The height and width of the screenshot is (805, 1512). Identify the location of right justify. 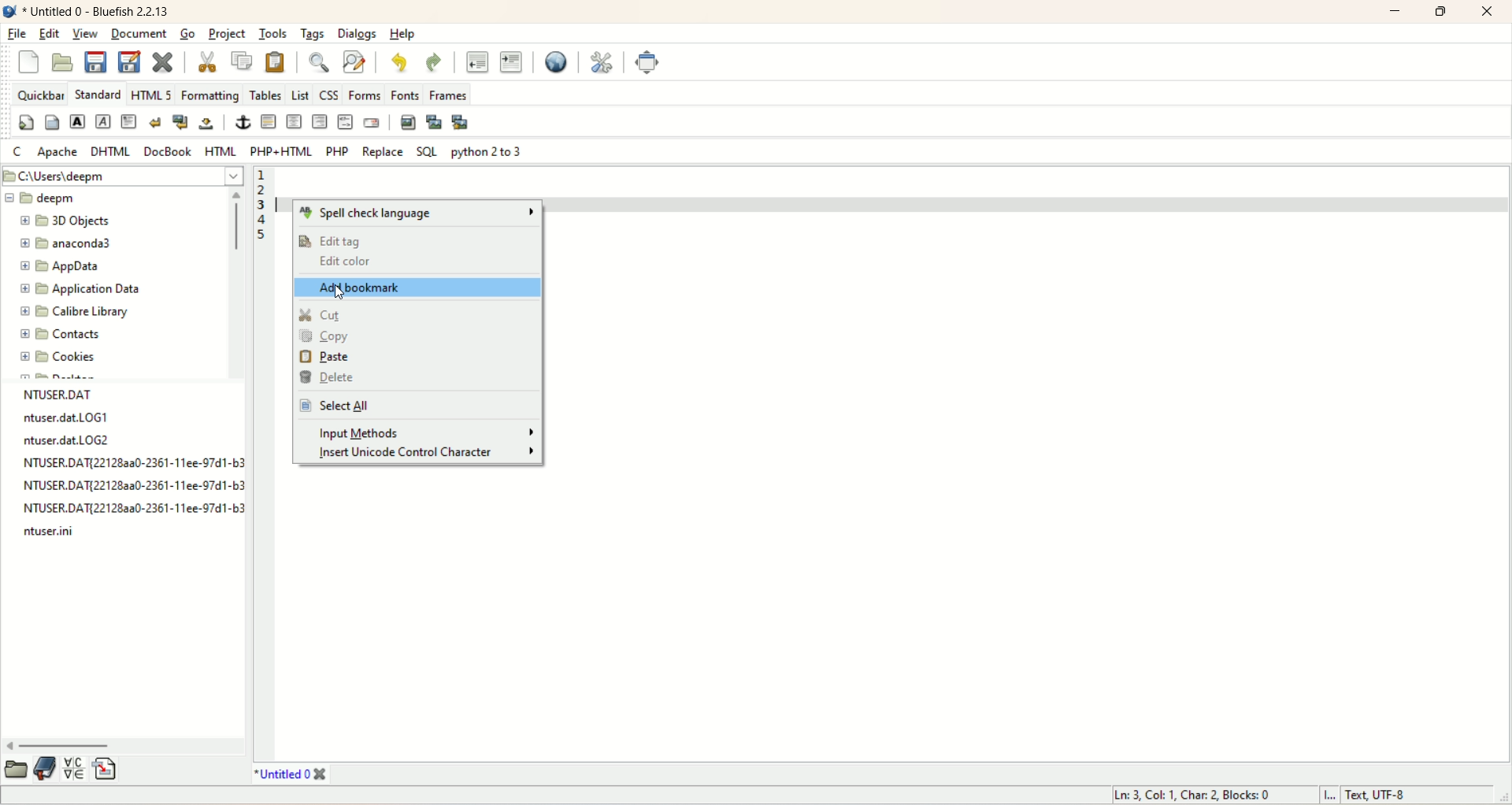
(319, 122).